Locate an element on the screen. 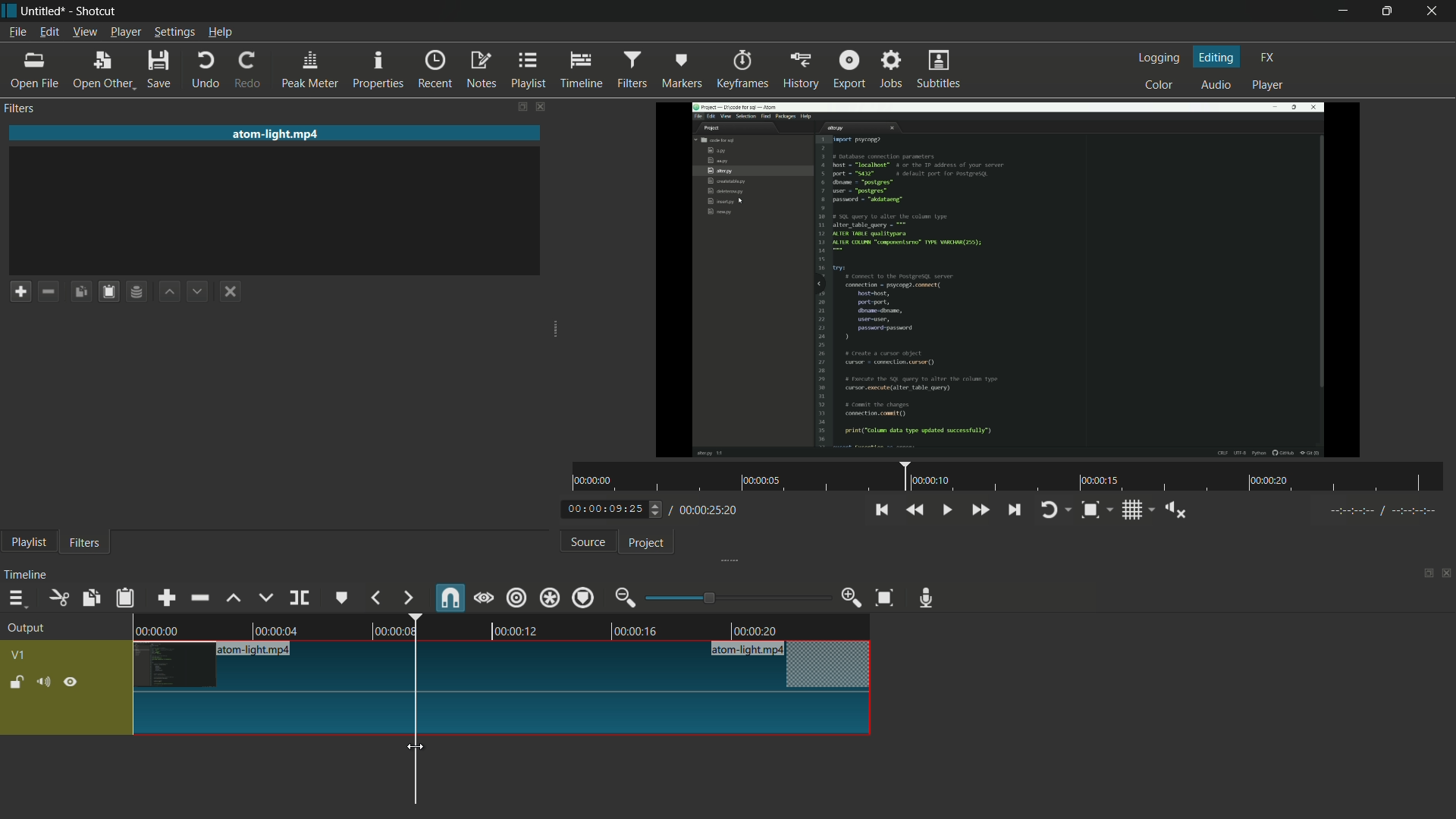 This screenshot has height=819, width=1456. total time is located at coordinates (707, 510).